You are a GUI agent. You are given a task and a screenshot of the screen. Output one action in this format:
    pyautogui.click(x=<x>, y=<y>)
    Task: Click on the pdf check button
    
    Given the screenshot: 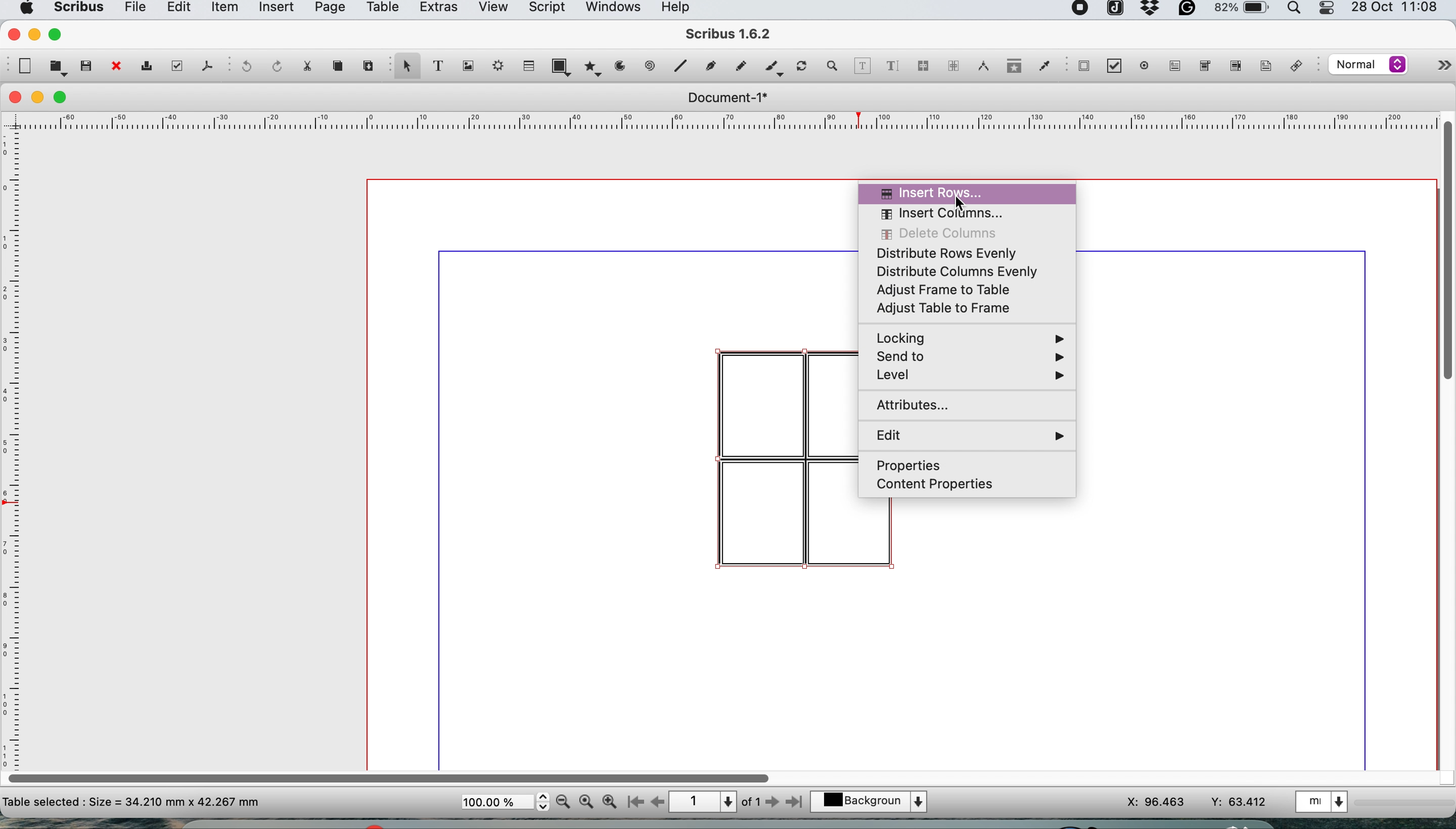 What is the action you would take?
    pyautogui.click(x=1118, y=67)
    